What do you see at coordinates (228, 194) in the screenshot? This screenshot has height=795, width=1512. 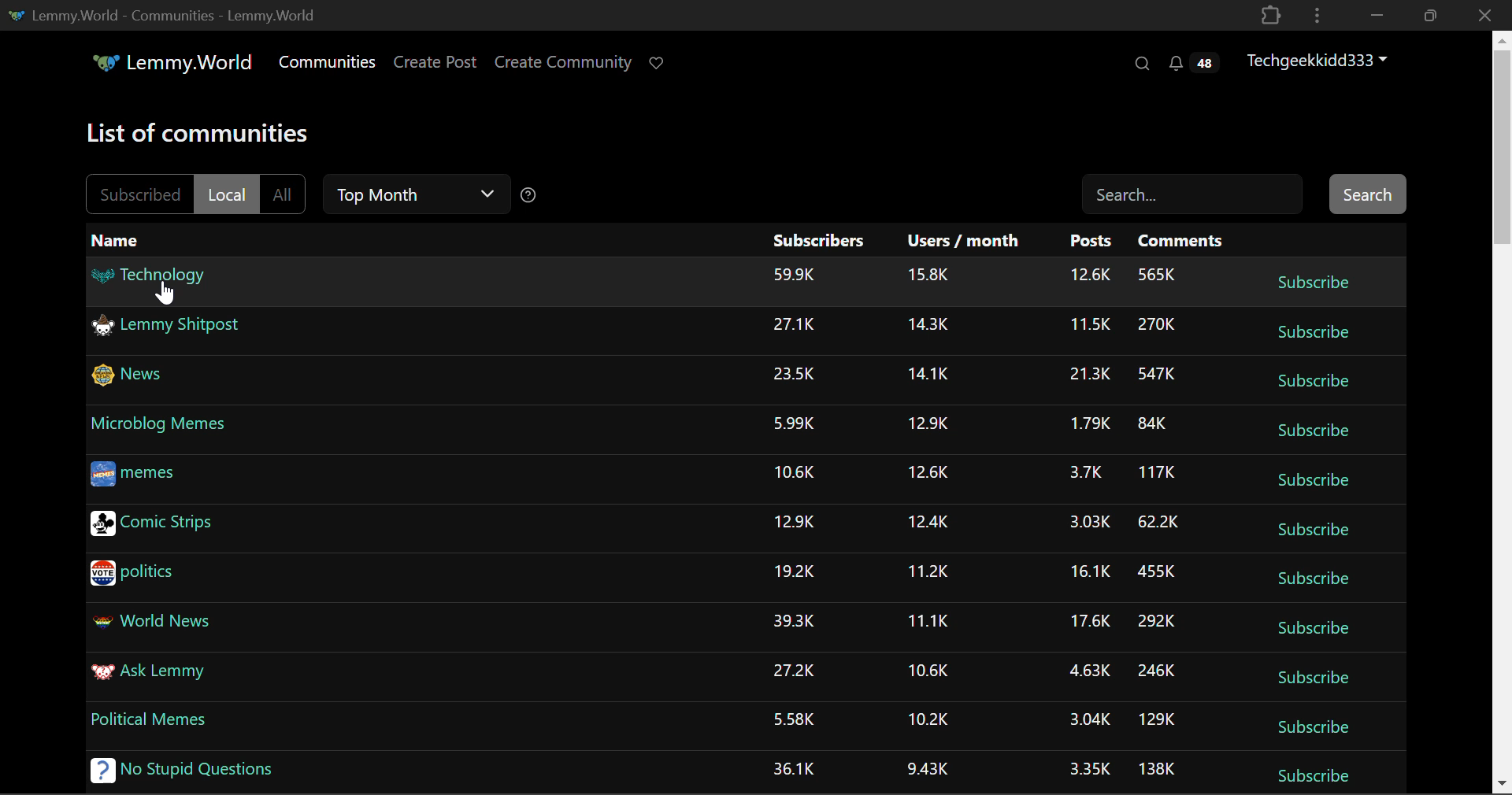 I see `Local` at bounding box center [228, 194].